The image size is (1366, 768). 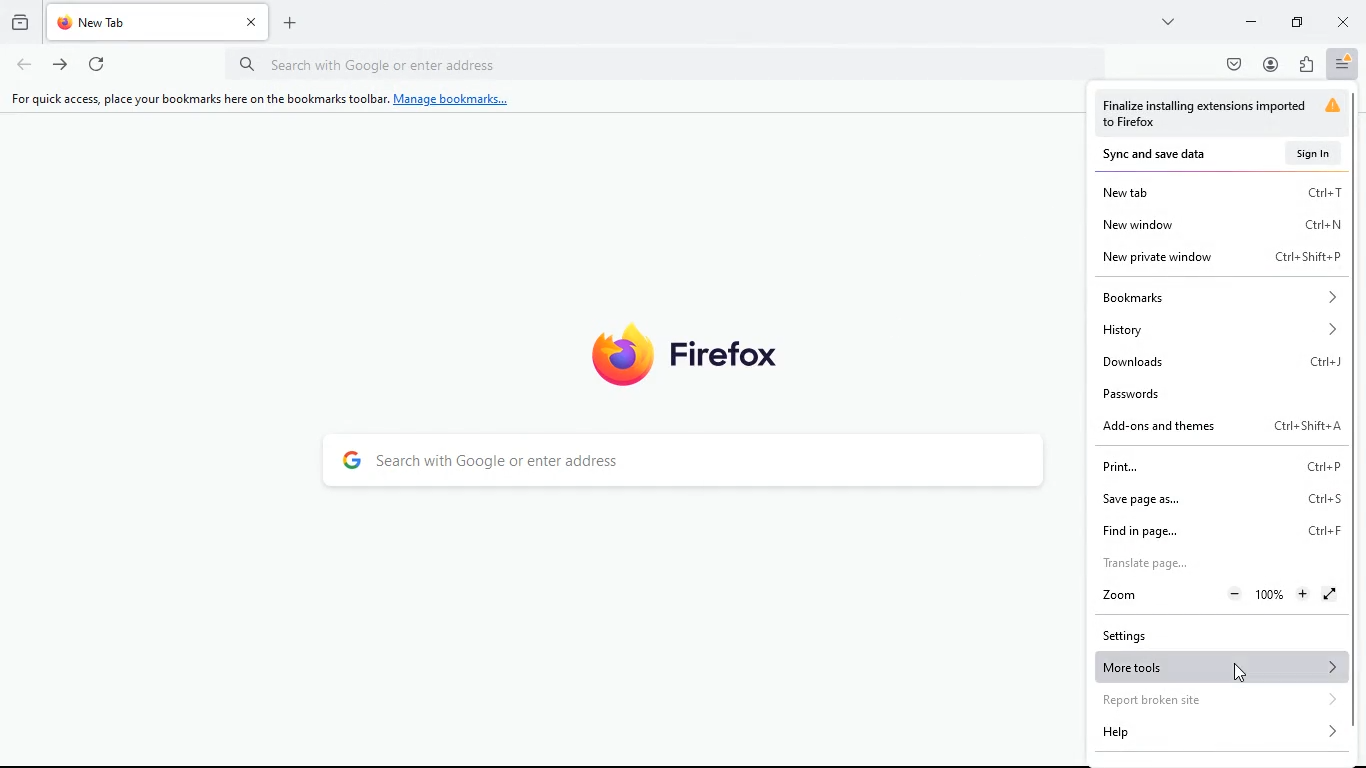 I want to click on report broken site, so click(x=1222, y=700).